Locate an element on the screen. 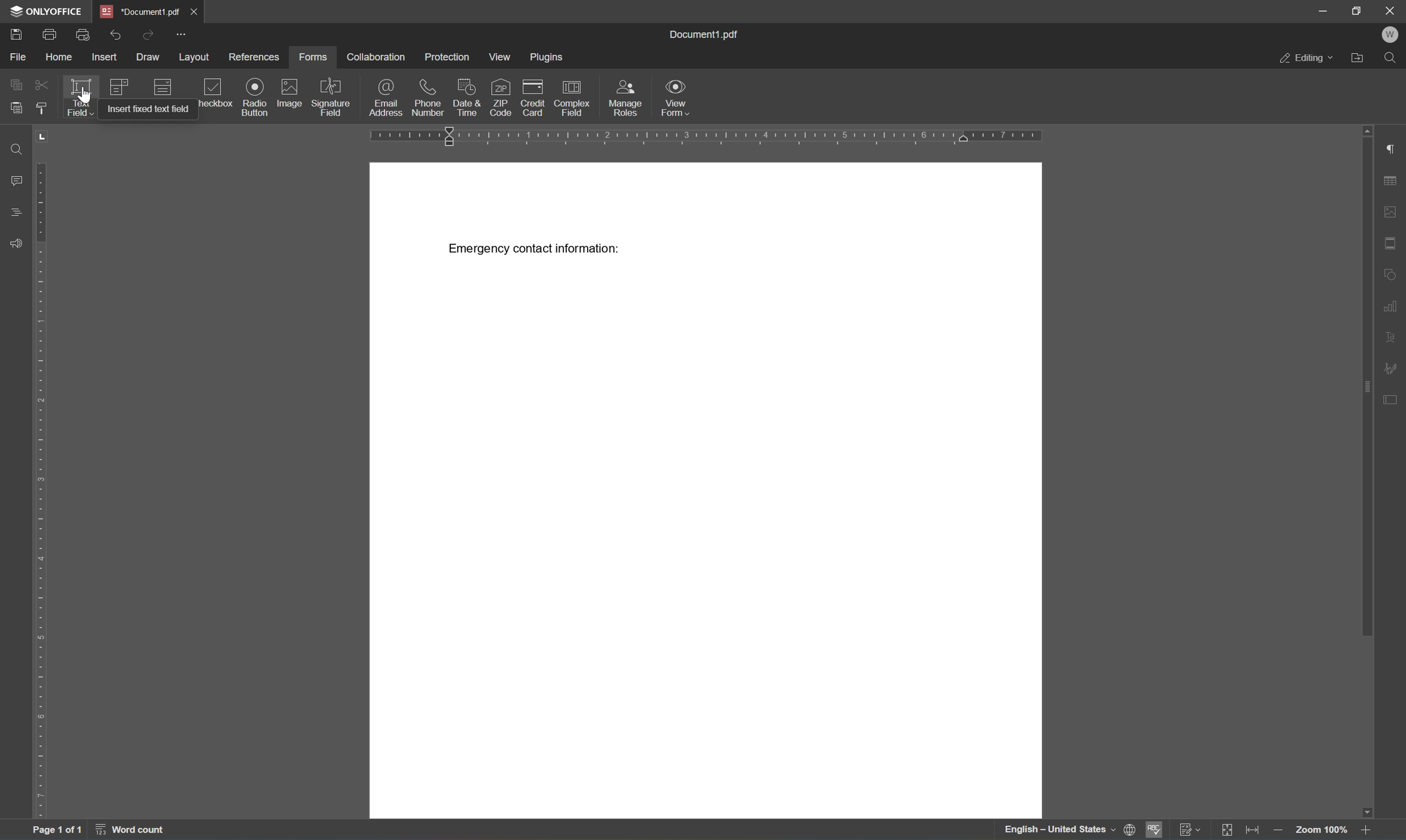 The height and width of the screenshot is (840, 1406). complex field is located at coordinates (573, 98).